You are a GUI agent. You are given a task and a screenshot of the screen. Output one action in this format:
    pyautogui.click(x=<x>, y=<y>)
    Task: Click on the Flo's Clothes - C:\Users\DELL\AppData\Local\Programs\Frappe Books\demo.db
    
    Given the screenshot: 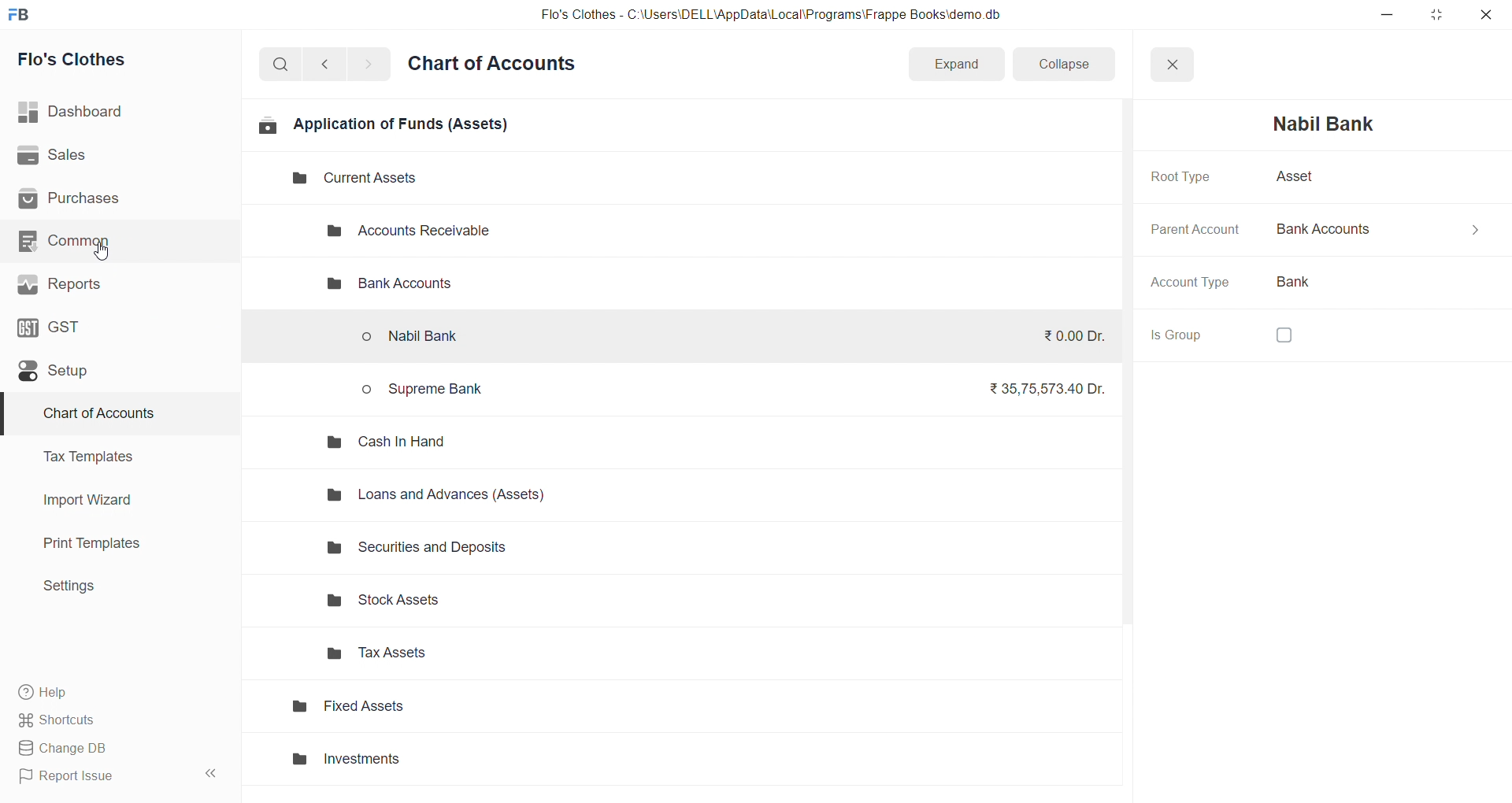 What is the action you would take?
    pyautogui.click(x=771, y=15)
    